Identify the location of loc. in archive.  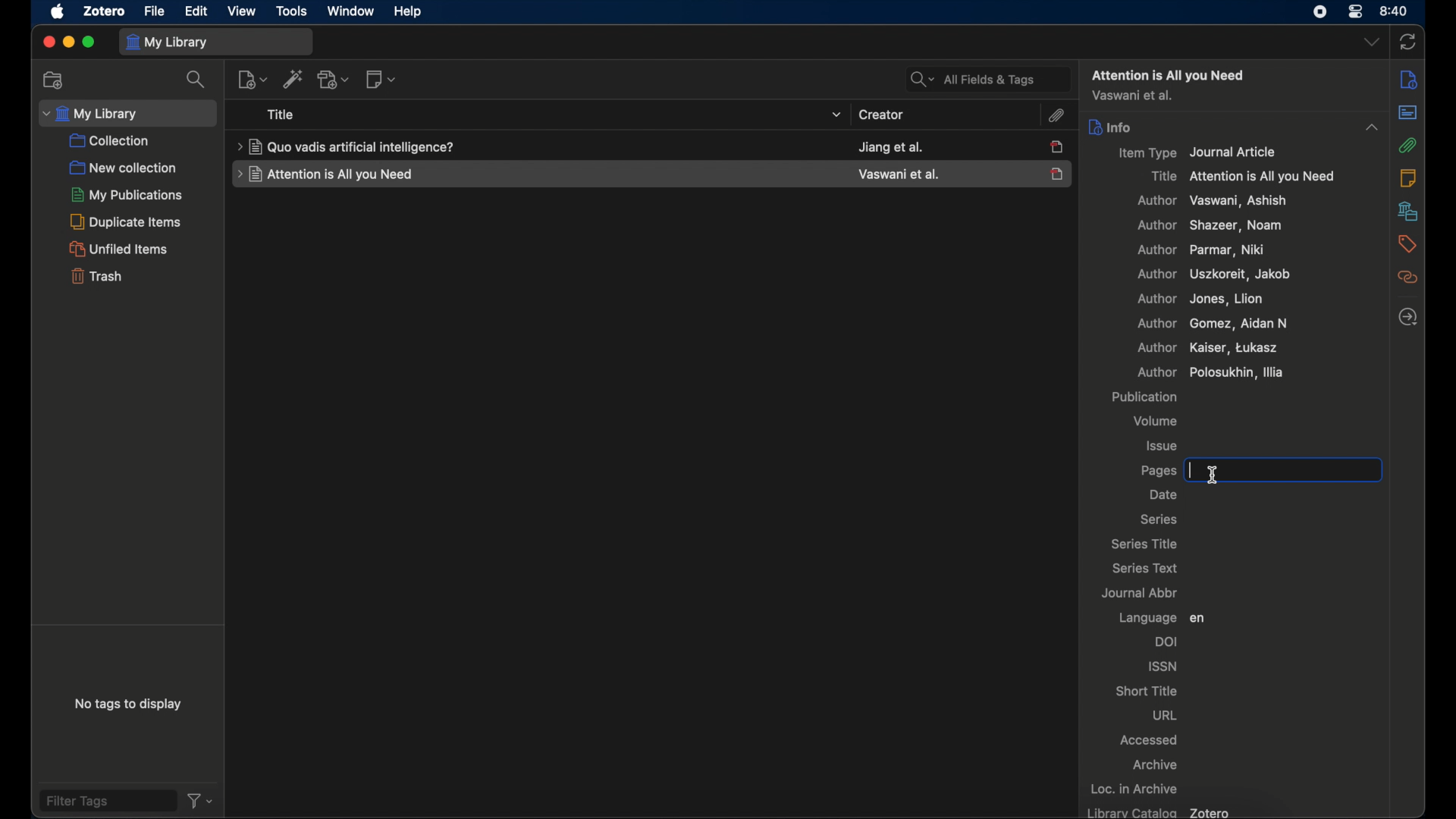
(1137, 789).